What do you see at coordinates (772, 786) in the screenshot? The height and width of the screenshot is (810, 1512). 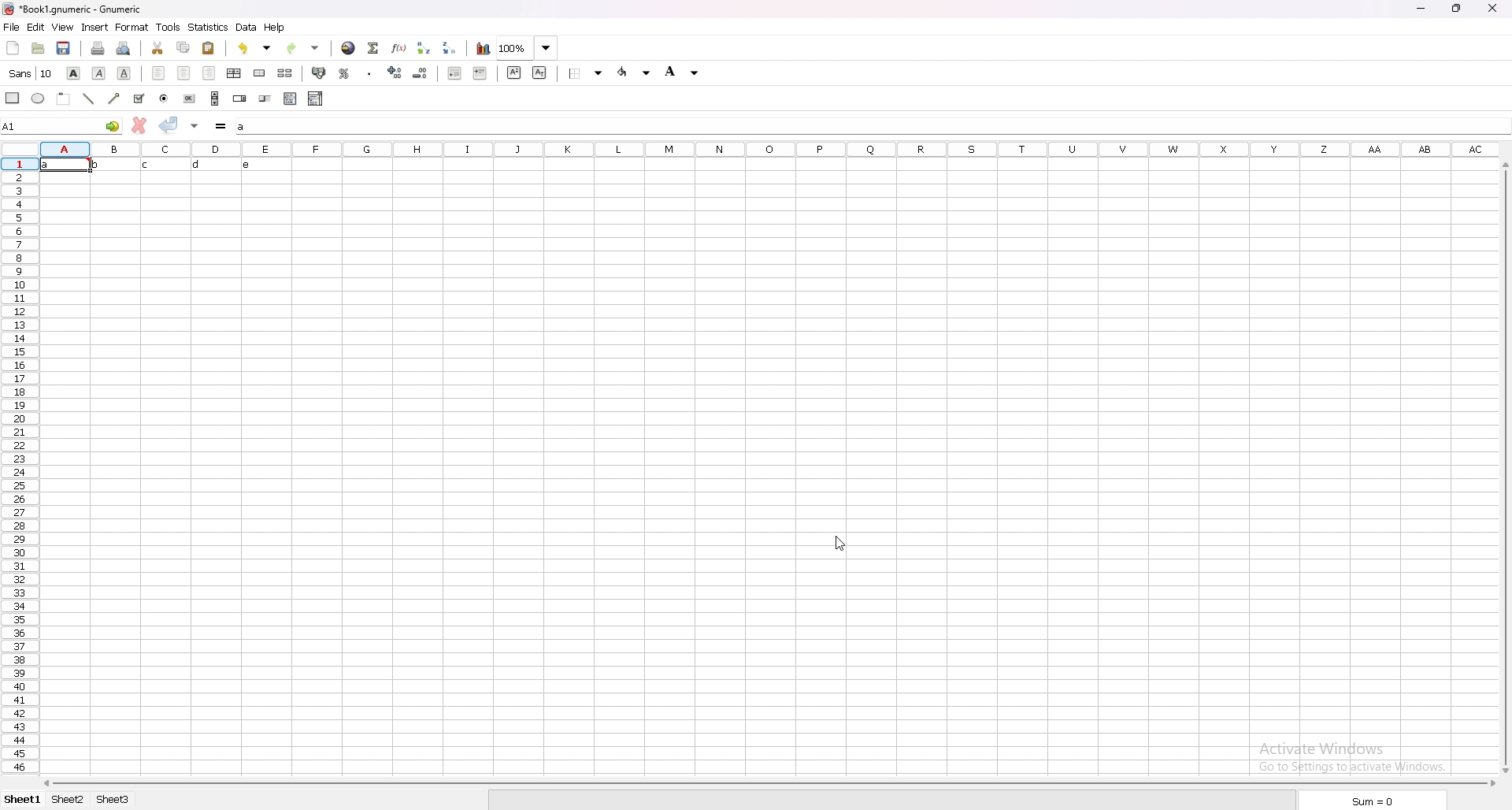 I see `scroll bar` at bounding box center [772, 786].